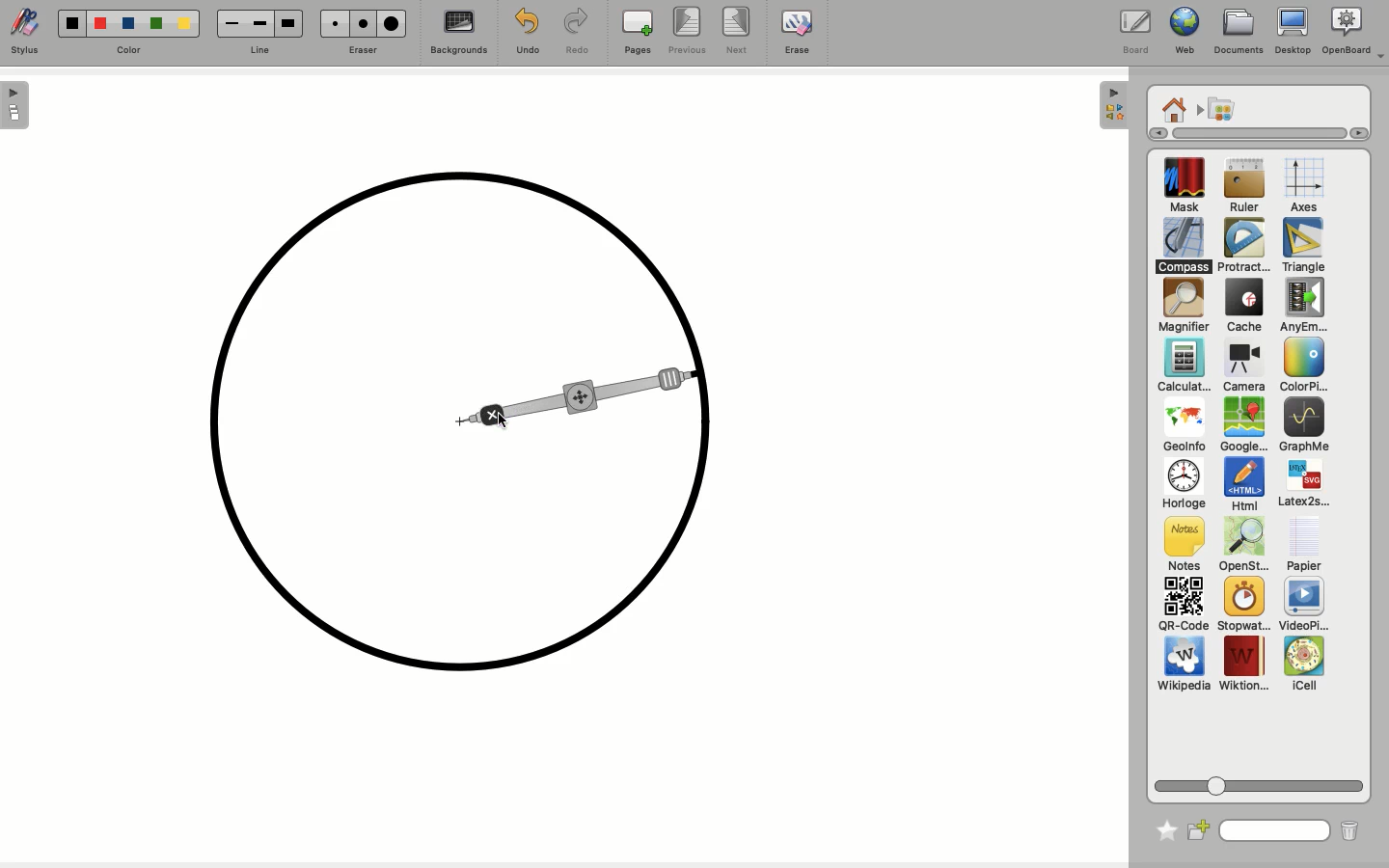 This screenshot has width=1389, height=868. What do you see at coordinates (525, 31) in the screenshot?
I see `Undo` at bounding box center [525, 31].